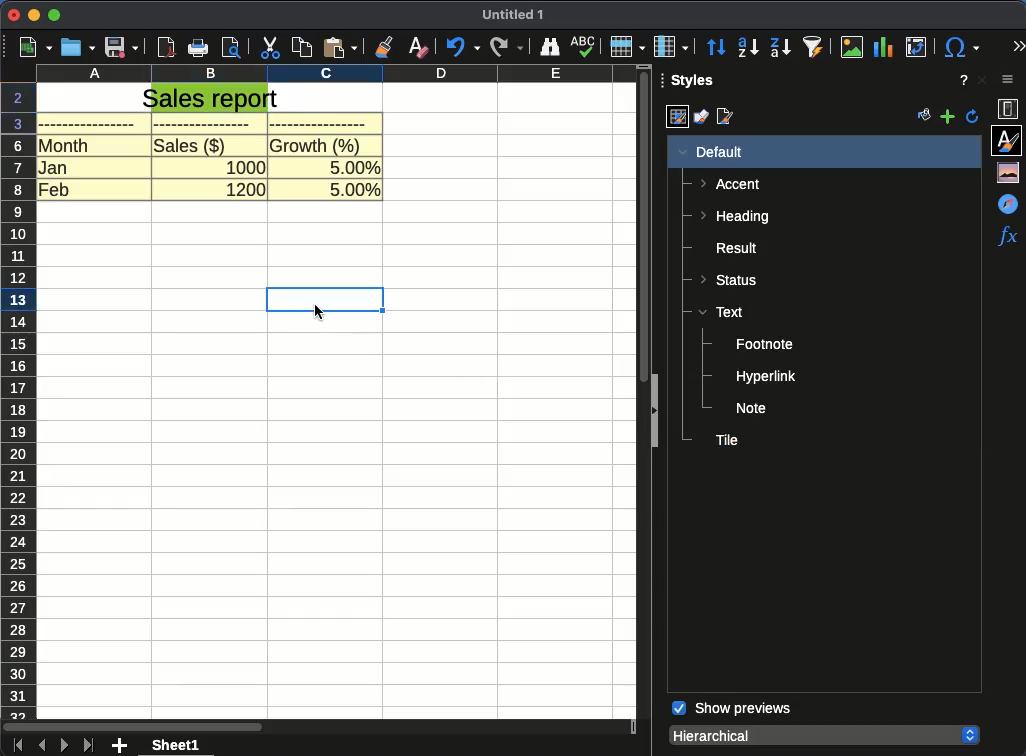 The image size is (1026, 756). Describe the element at coordinates (732, 184) in the screenshot. I see `accent` at that location.